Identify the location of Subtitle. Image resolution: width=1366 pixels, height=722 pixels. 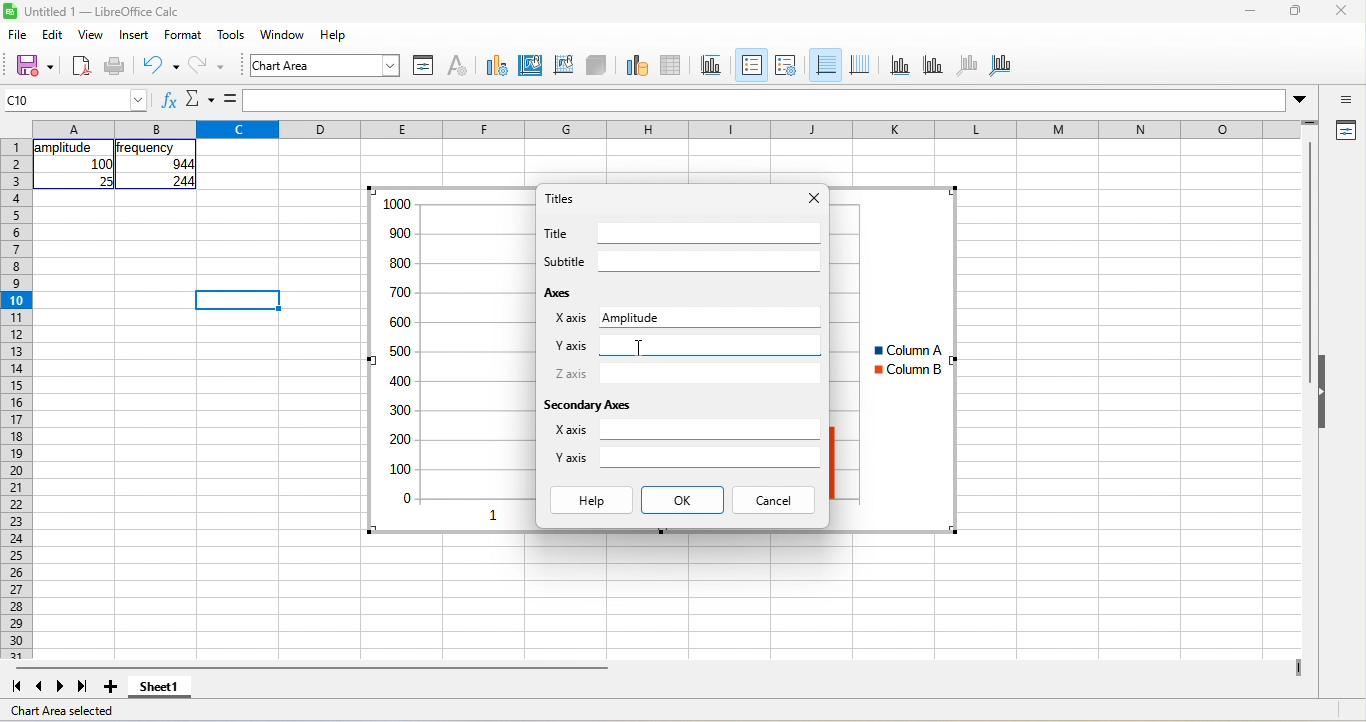
(565, 261).